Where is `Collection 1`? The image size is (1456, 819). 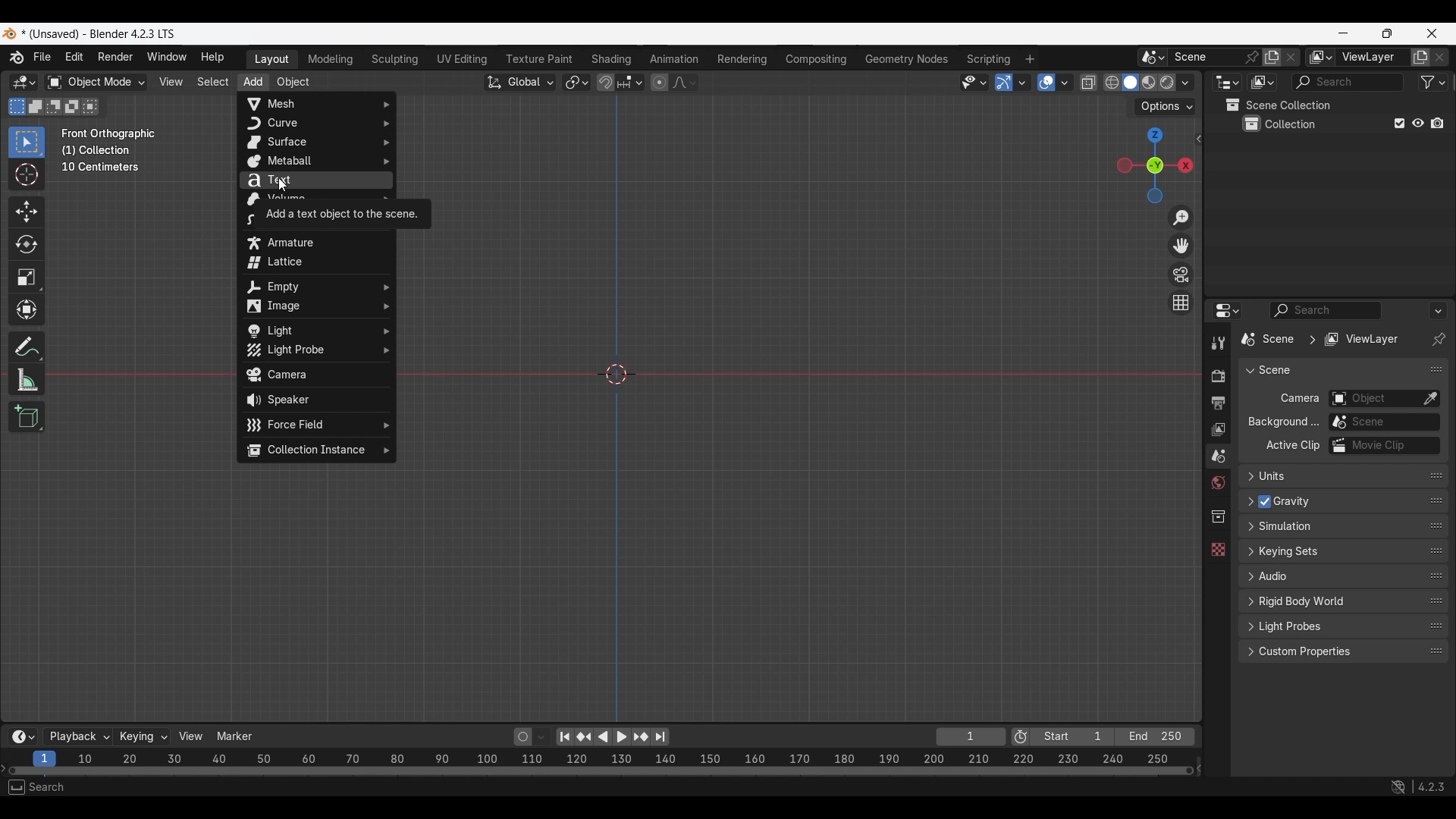
Collection 1 is located at coordinates (1283, 124).